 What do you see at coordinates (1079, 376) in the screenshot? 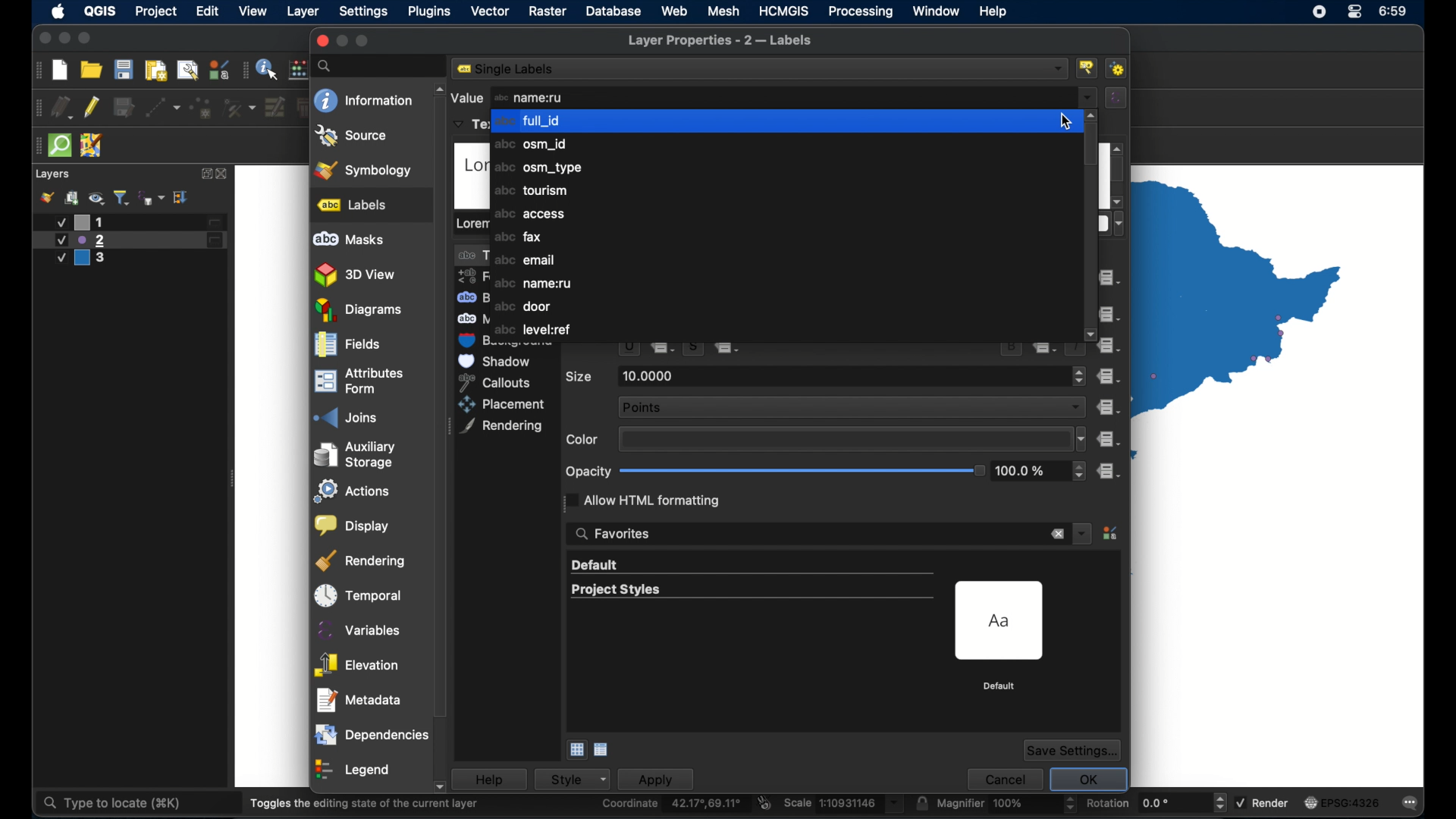
I see `stepper buttons` at bounding box center [1079, 376].